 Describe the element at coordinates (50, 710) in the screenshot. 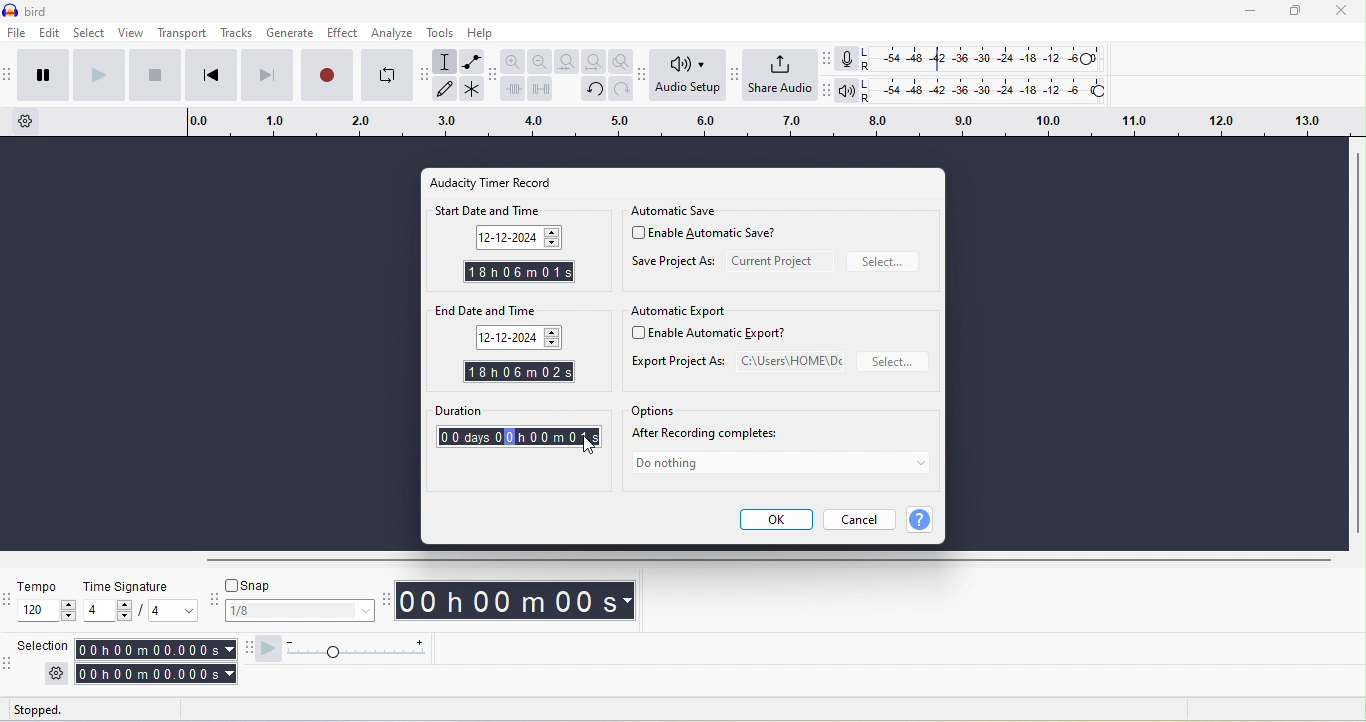

I see `stopped` at that location.